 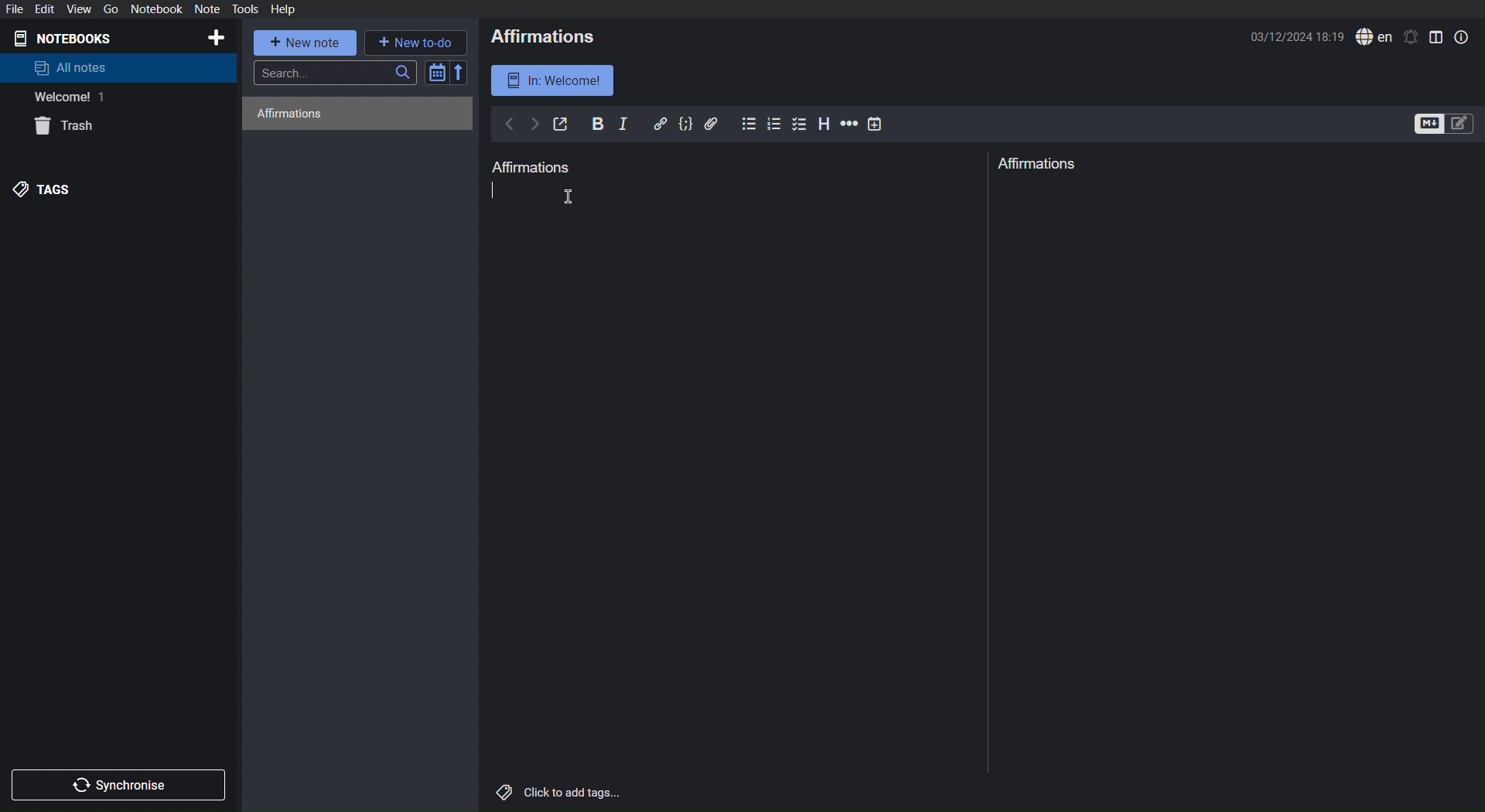 What do you see at coordinates (1411, 37) in the screenshot?
I see `Notifications` at bounding box center [1411, 37].